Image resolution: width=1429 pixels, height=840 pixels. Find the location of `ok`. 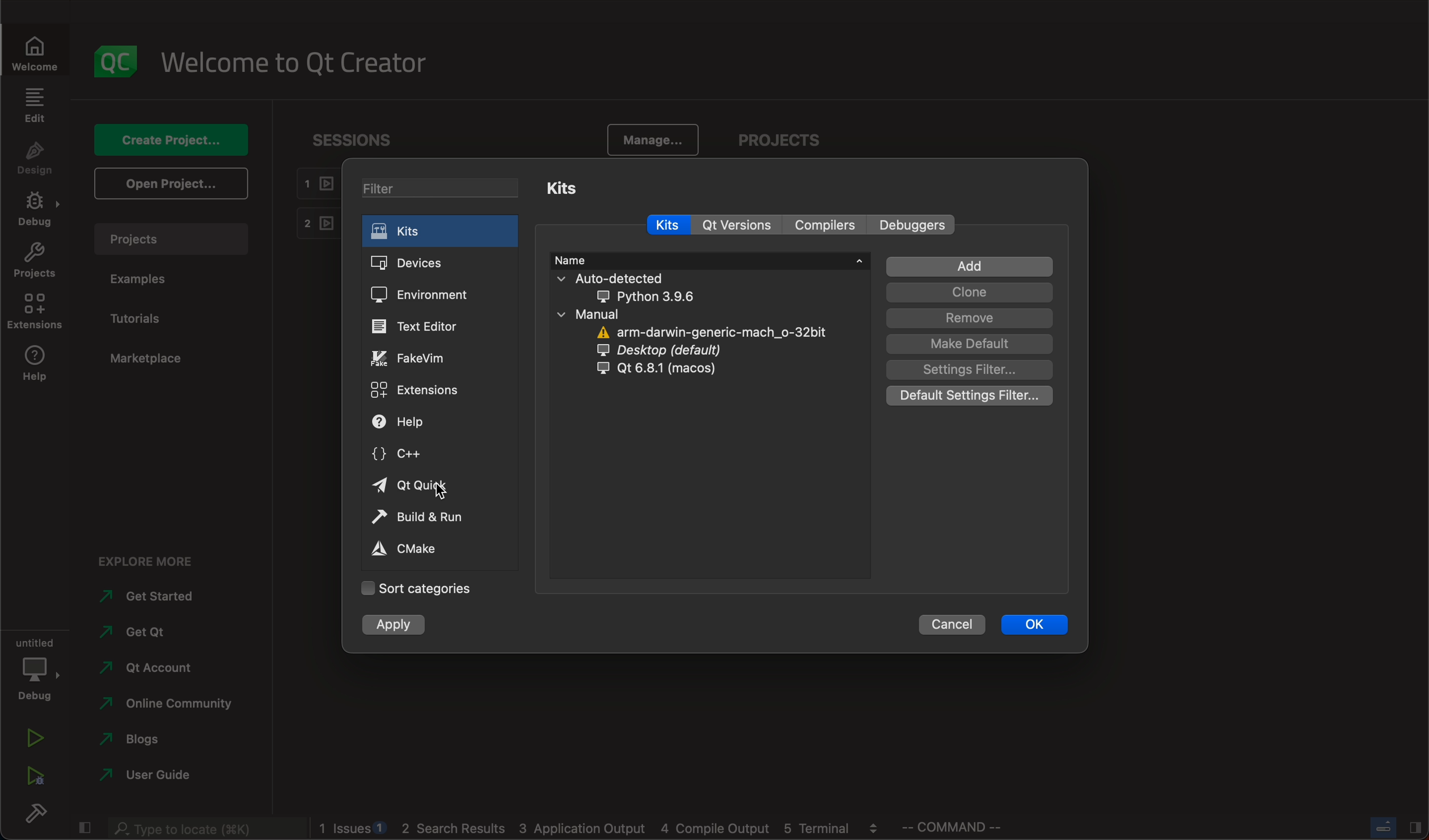

ok is located at coordinates (1038, 625).